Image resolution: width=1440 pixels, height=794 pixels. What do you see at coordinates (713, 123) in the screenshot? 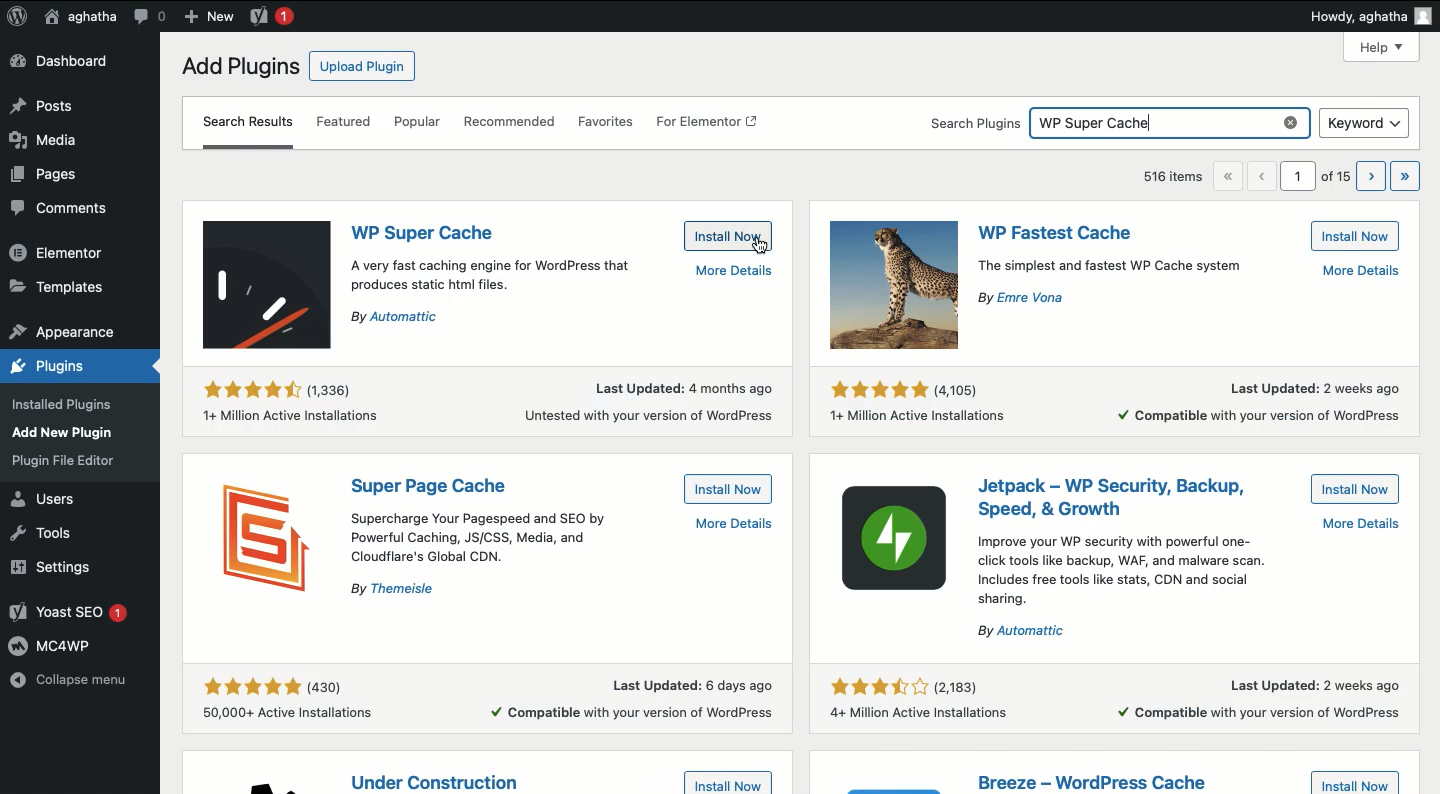
I see `For elementor` at bounding box center [713, 123].